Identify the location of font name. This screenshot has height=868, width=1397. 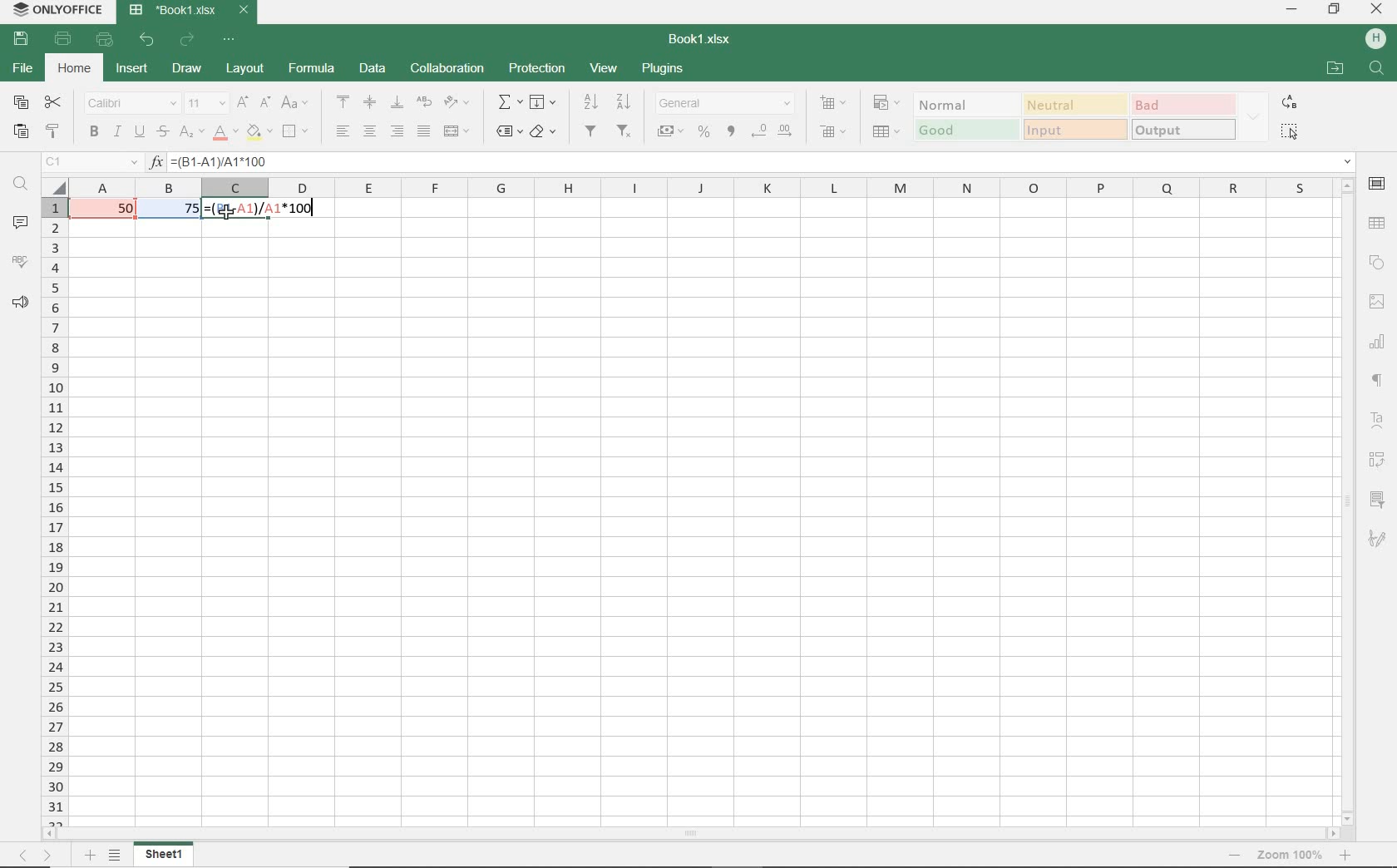
(132, 103).